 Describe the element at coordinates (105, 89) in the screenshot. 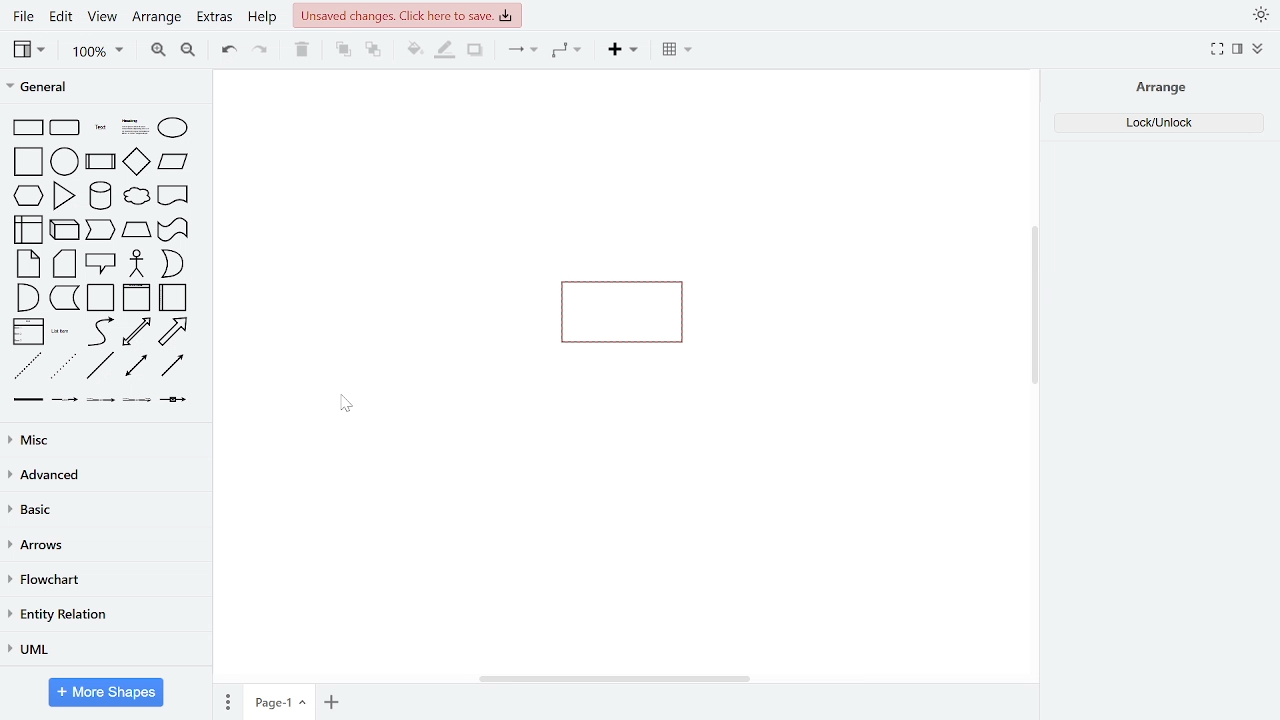

I see `general ` at that location.